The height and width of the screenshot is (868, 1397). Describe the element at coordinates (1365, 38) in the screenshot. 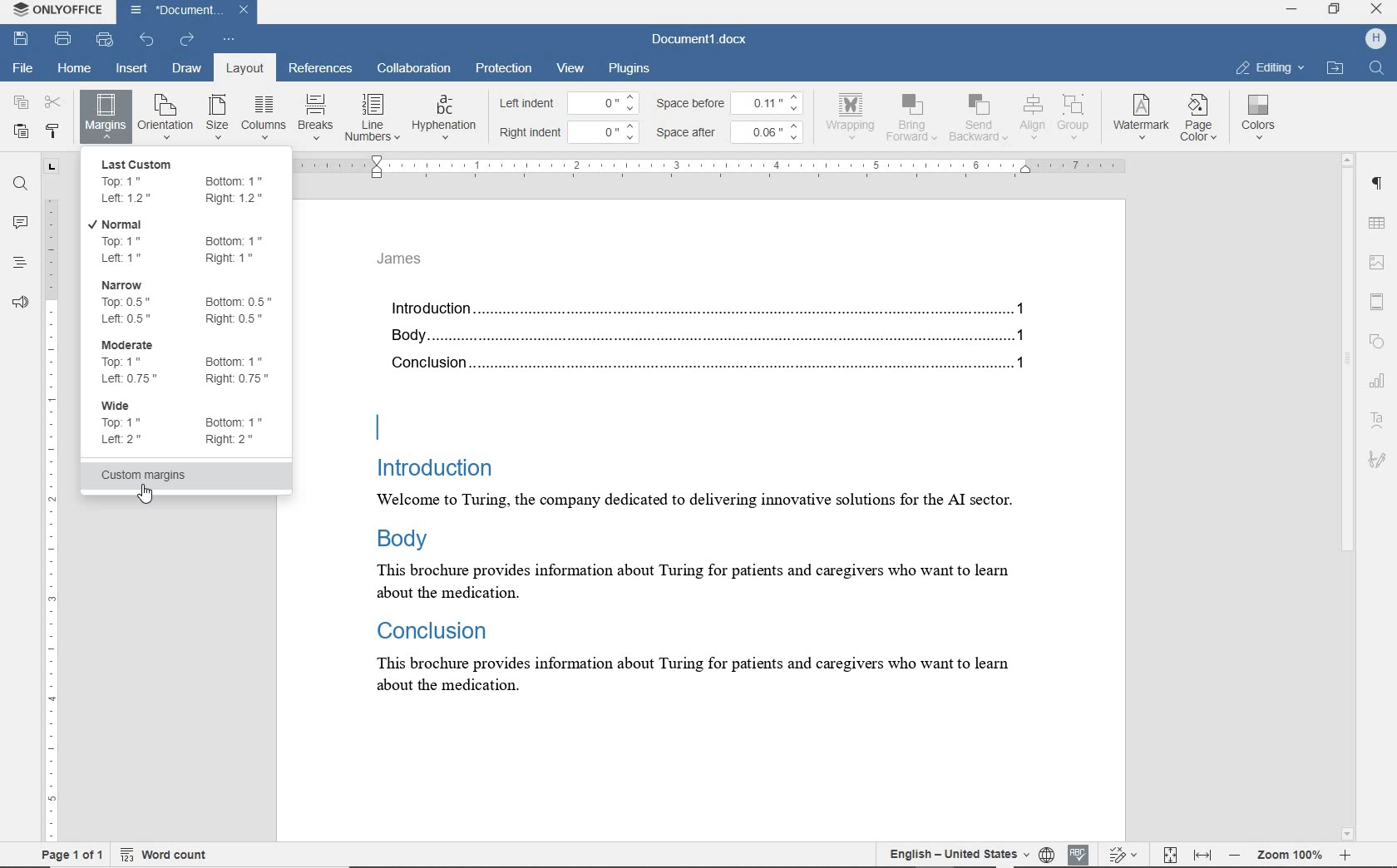

I see `profile` at that location.